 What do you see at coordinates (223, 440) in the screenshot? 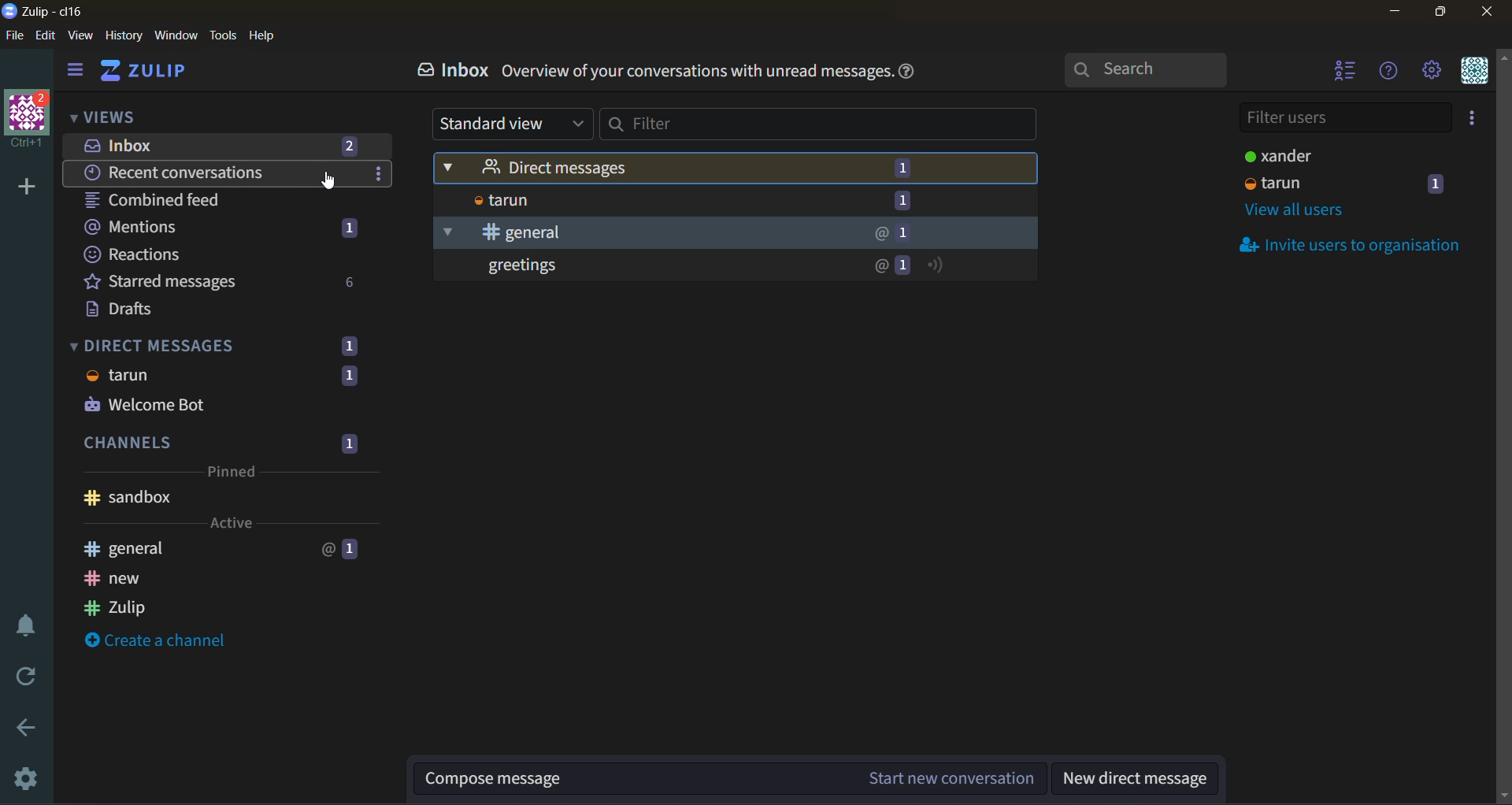
I see `channels` at bounding box center [223, 440].